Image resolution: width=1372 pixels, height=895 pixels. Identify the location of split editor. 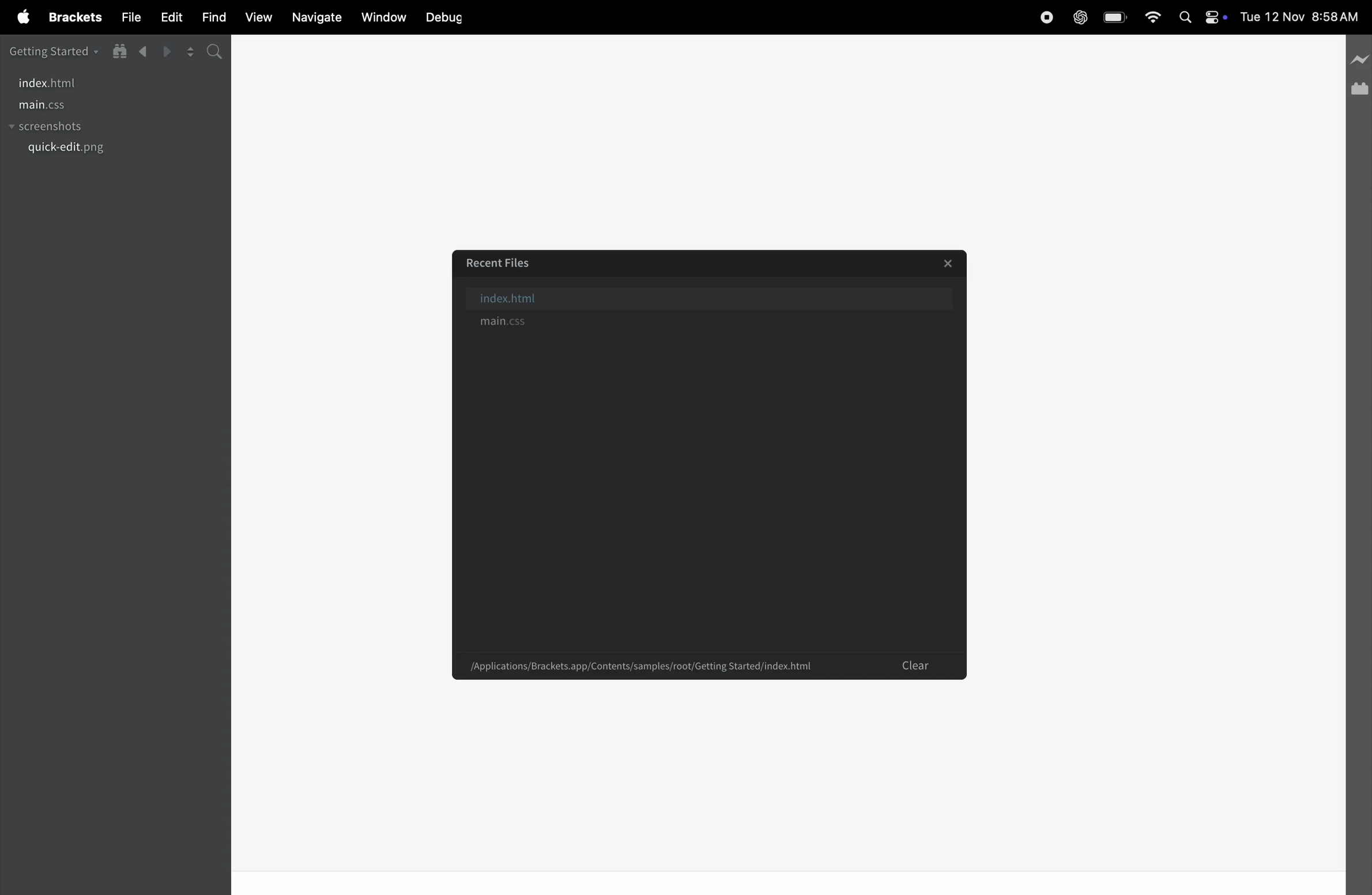
(190, 52).